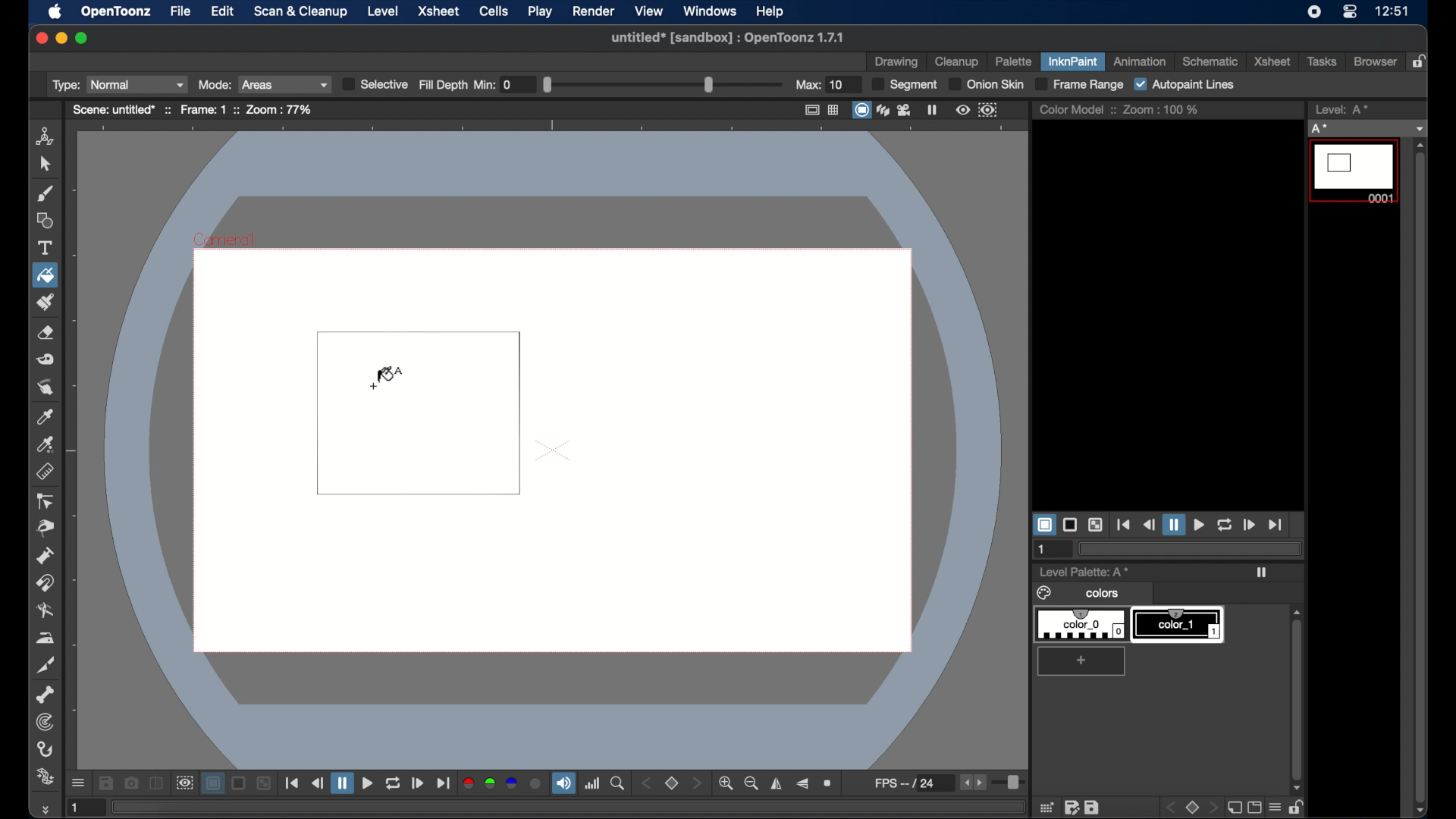  What do you see at coordinates (1047, 807) in the screenshot?
I see `grid` at bounding box center [1047, 807].